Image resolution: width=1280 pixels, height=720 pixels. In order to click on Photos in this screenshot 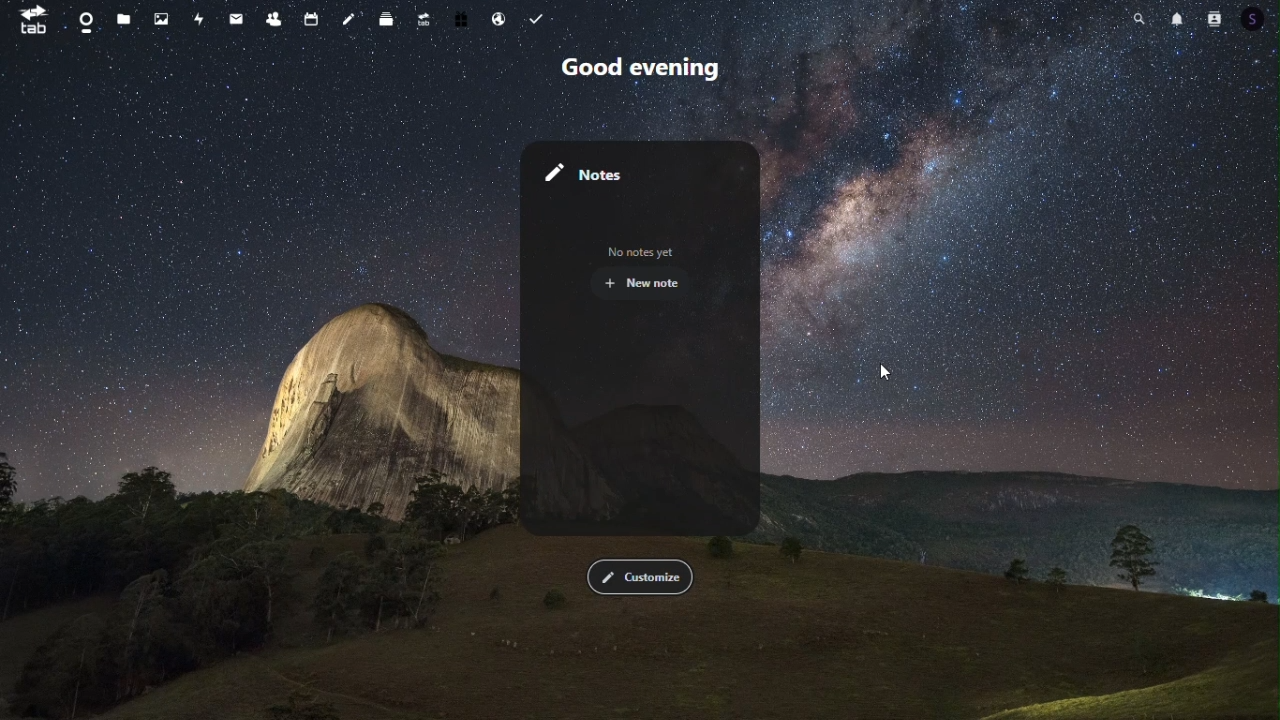, I will do `click(161, 17)`.